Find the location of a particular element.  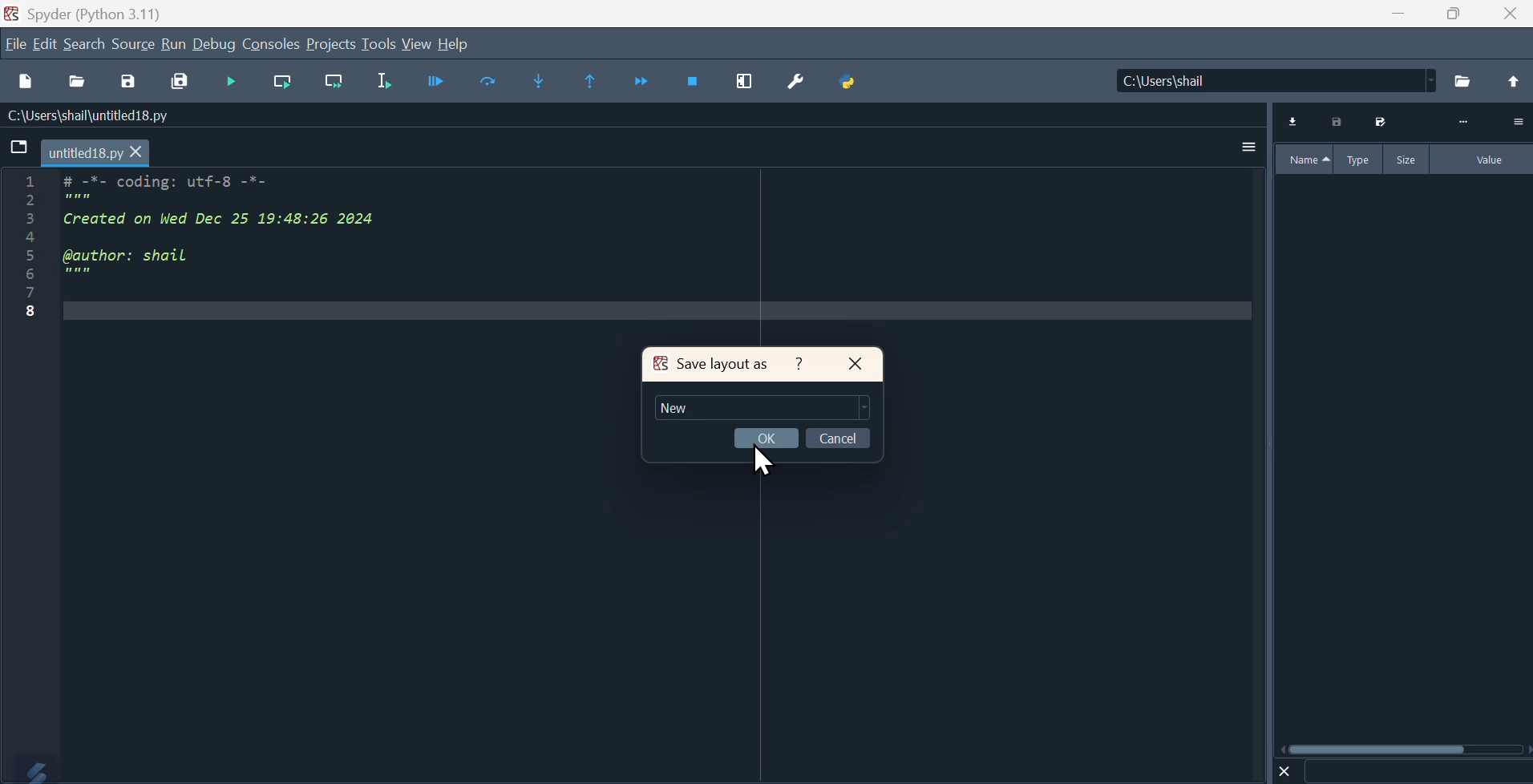

Download is located at coordinates (1294, 122).